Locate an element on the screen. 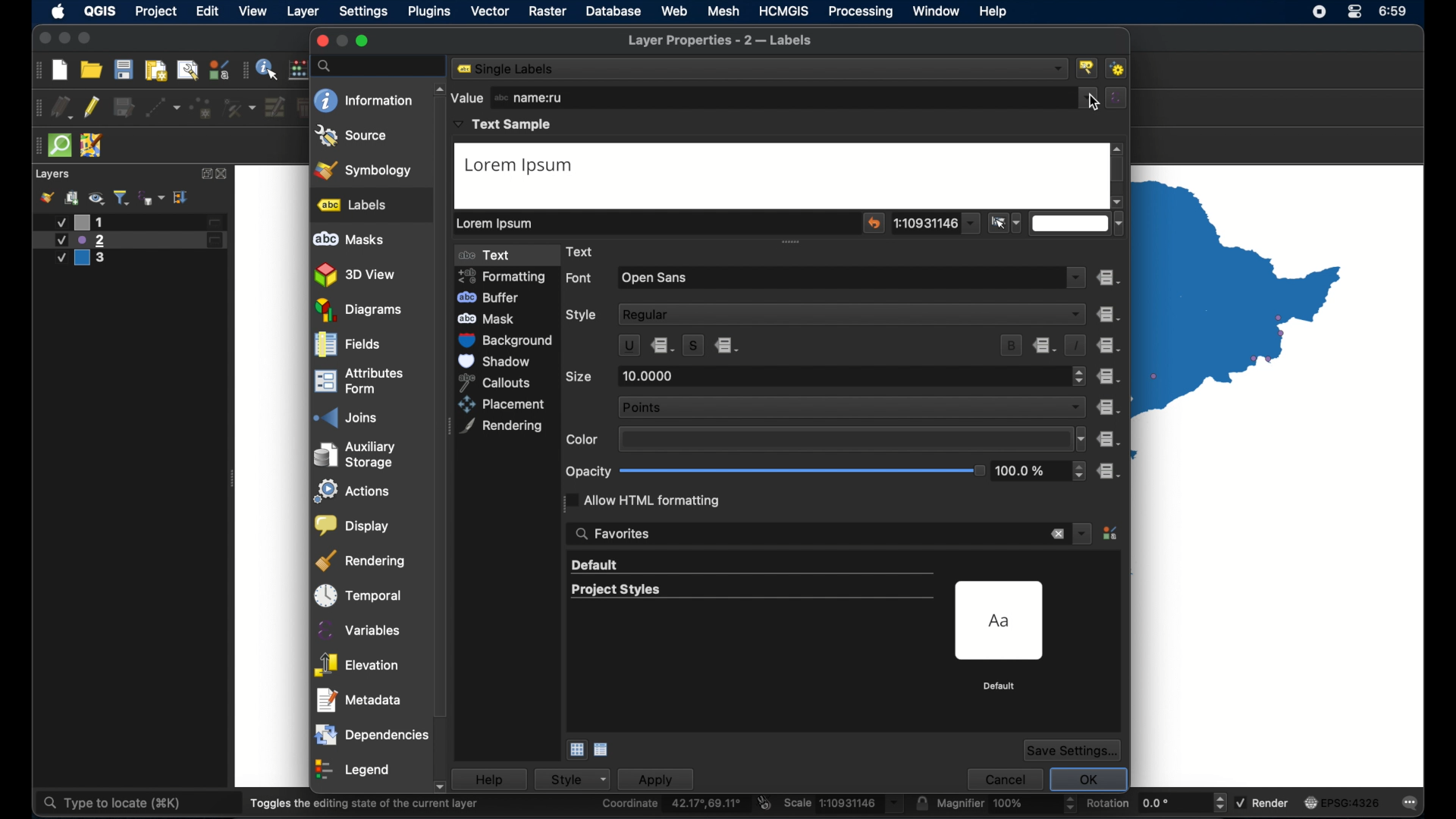 The height and width of the screenshot is (819, 1456). rotation is located at coordinates (1156, 802).